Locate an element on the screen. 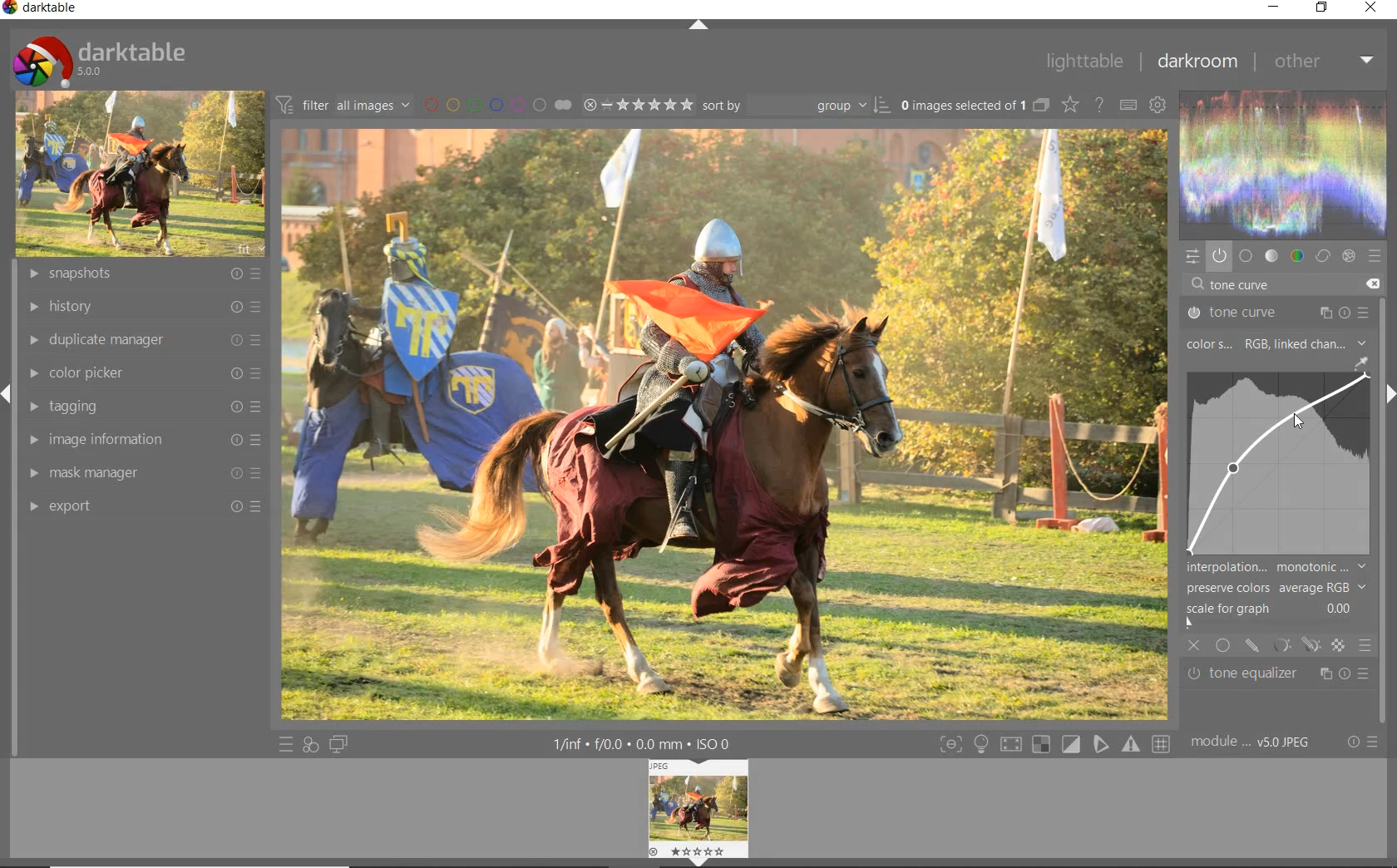 The width and height of the screenshot is (1397, 868). 1/fnf f/0.0 0.0 mm ISO 0 is located at coordinates (649, 743).